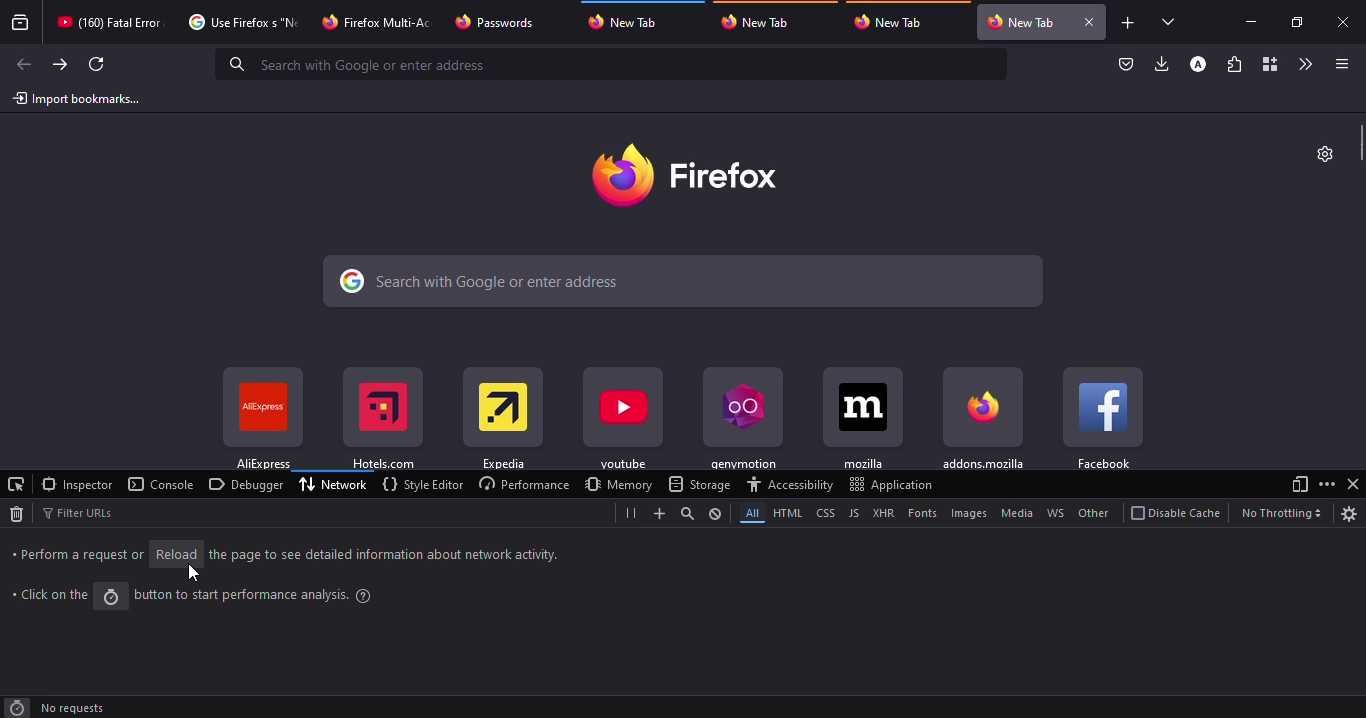 The width and height of the screenshot is (1366, 718). I want to click on inspector, so click(77, 484).